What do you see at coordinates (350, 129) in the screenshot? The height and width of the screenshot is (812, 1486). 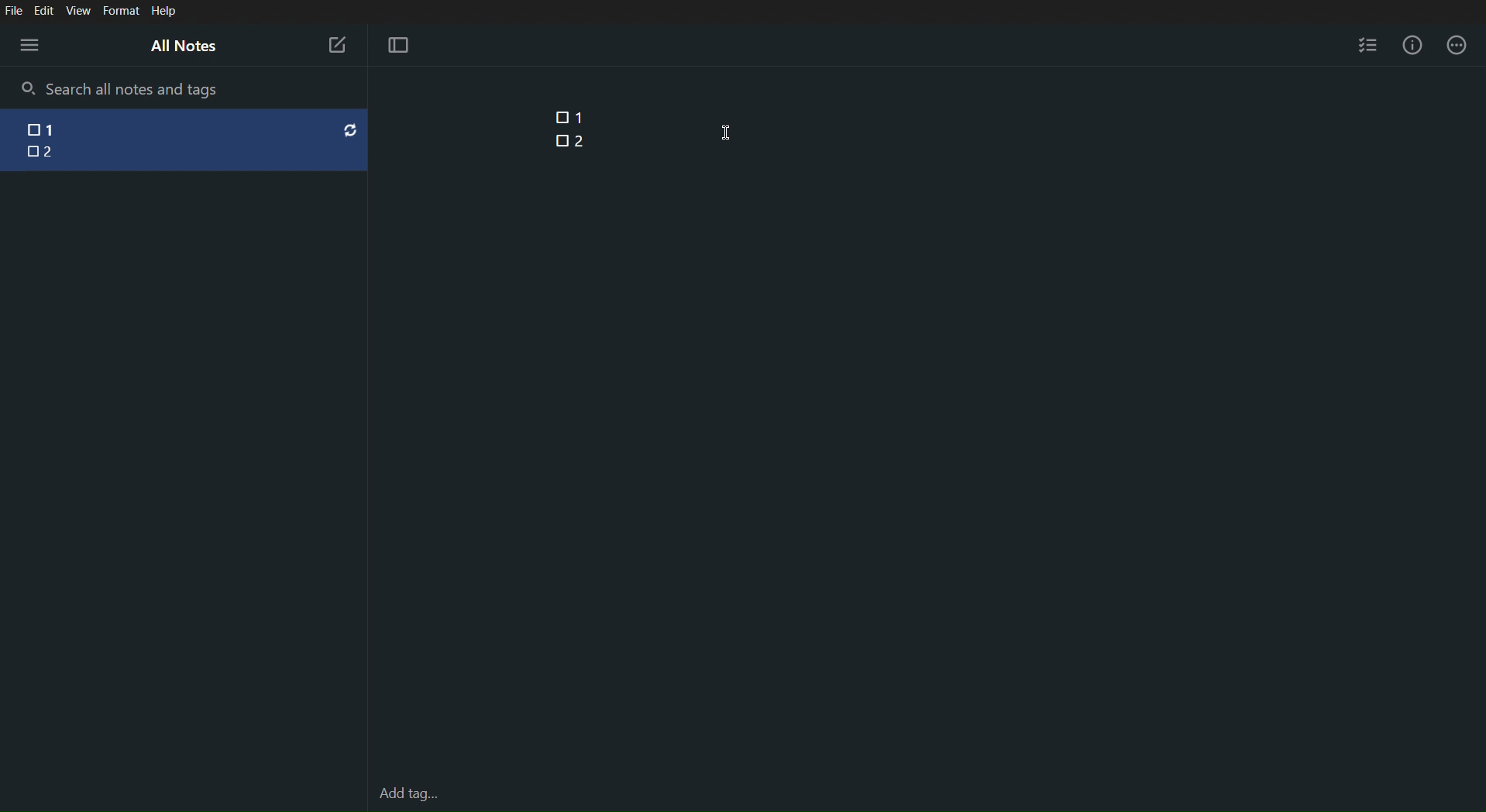 I see `reset` at bounding box center [350, 129].